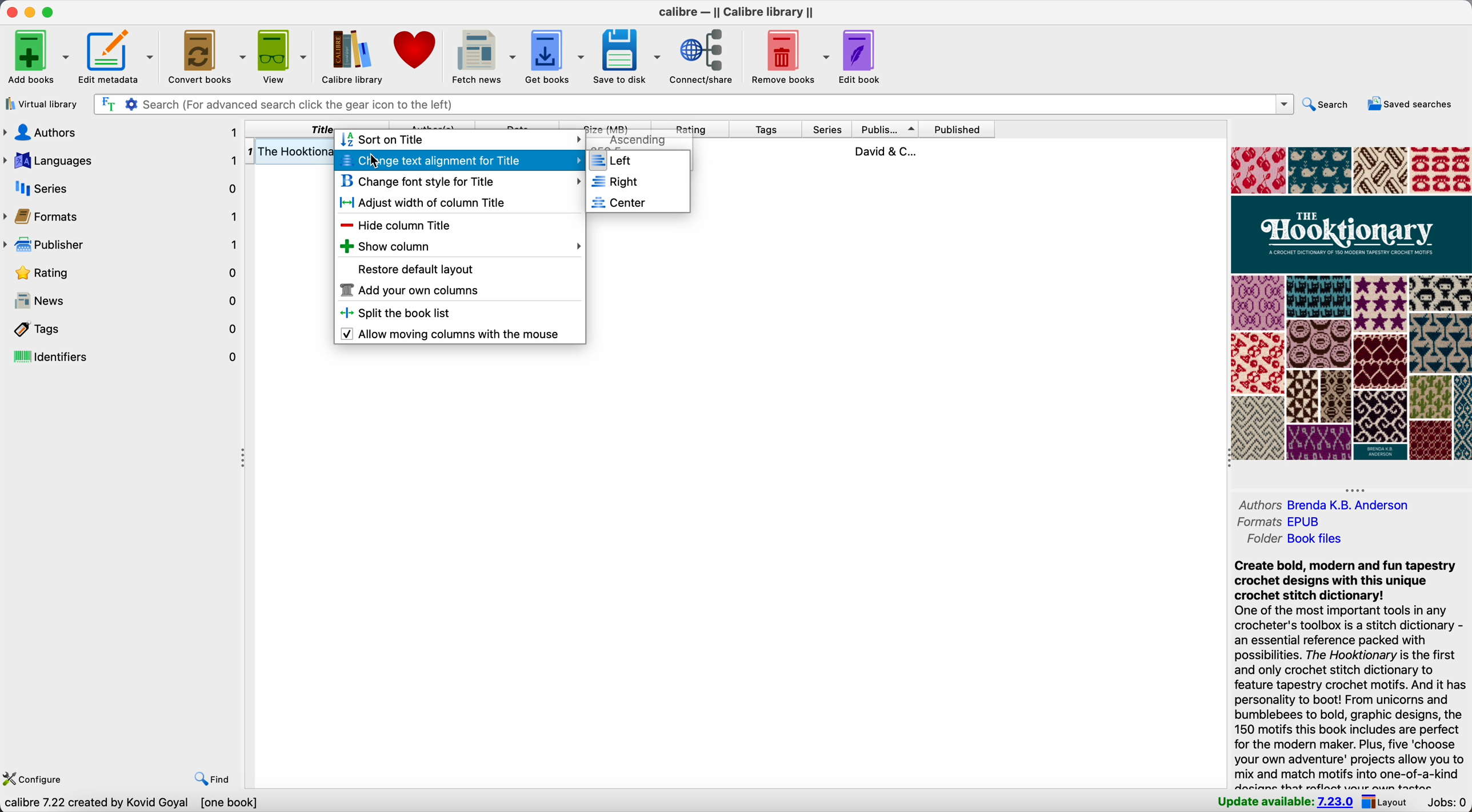  Describe the element at coordinates (769, 129) in the screenshot. I see `tags` at that location.